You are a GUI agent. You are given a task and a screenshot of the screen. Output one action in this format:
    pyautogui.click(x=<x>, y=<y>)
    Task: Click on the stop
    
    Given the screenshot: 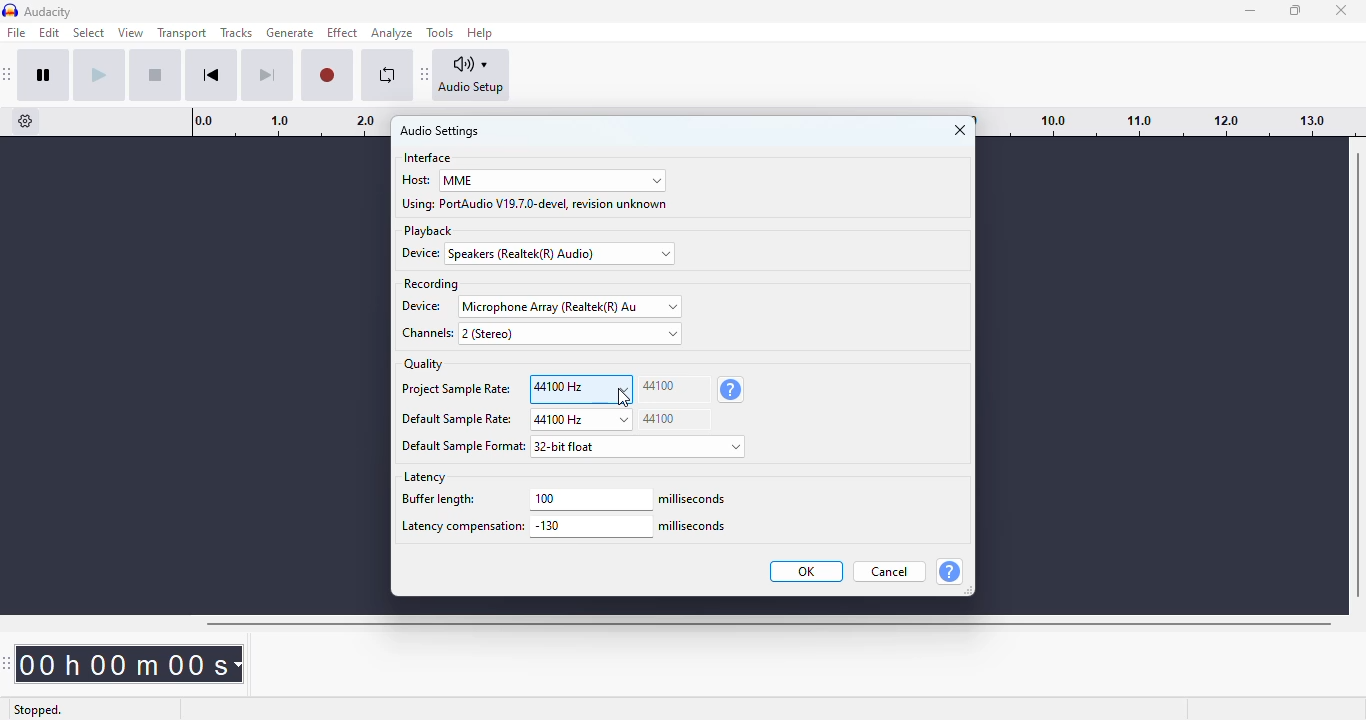 What is the action you would take?
    pyautogui.click(x=155, y=75)
    